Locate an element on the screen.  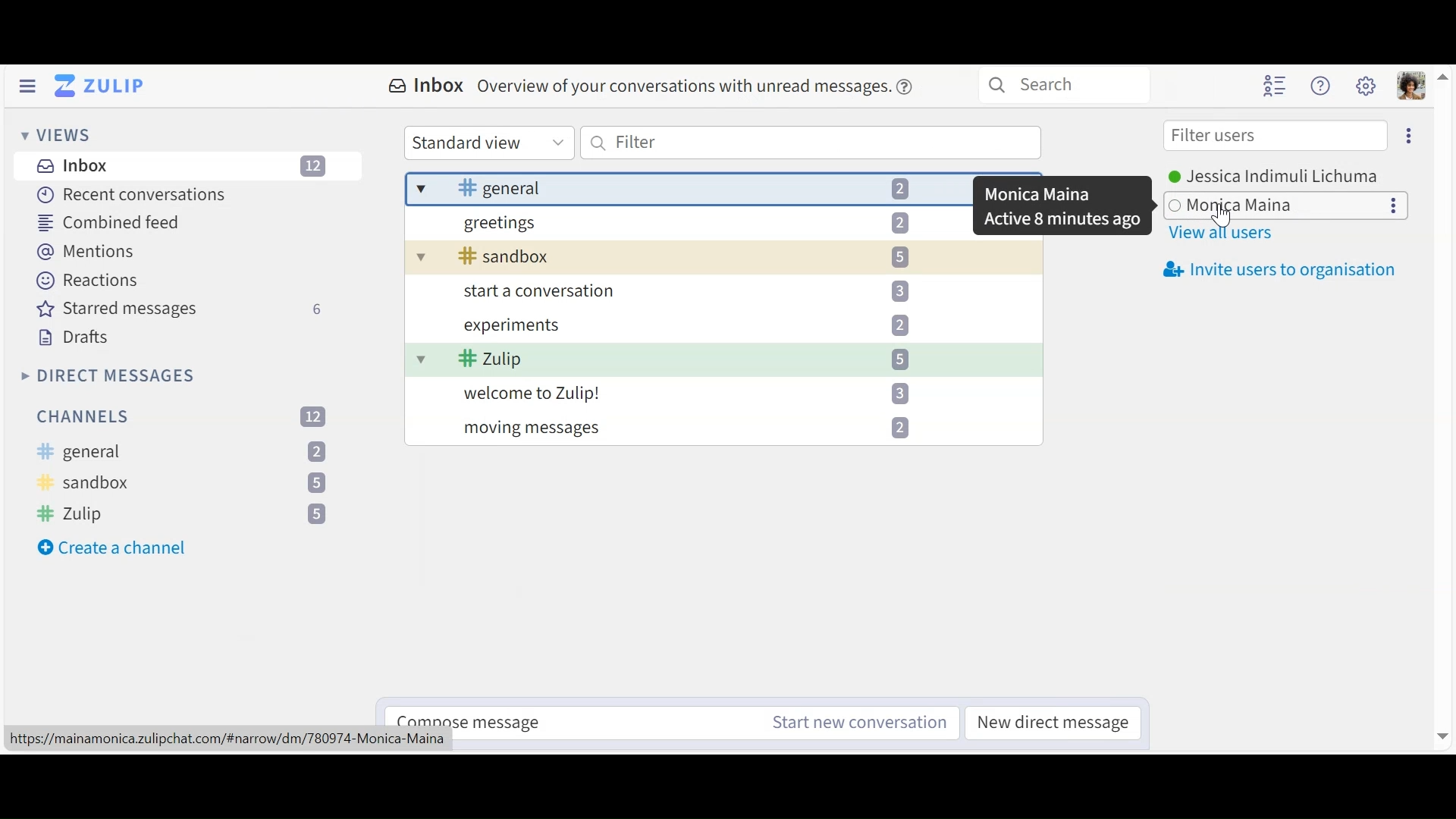
Search is located at coordinates (1062, 83).